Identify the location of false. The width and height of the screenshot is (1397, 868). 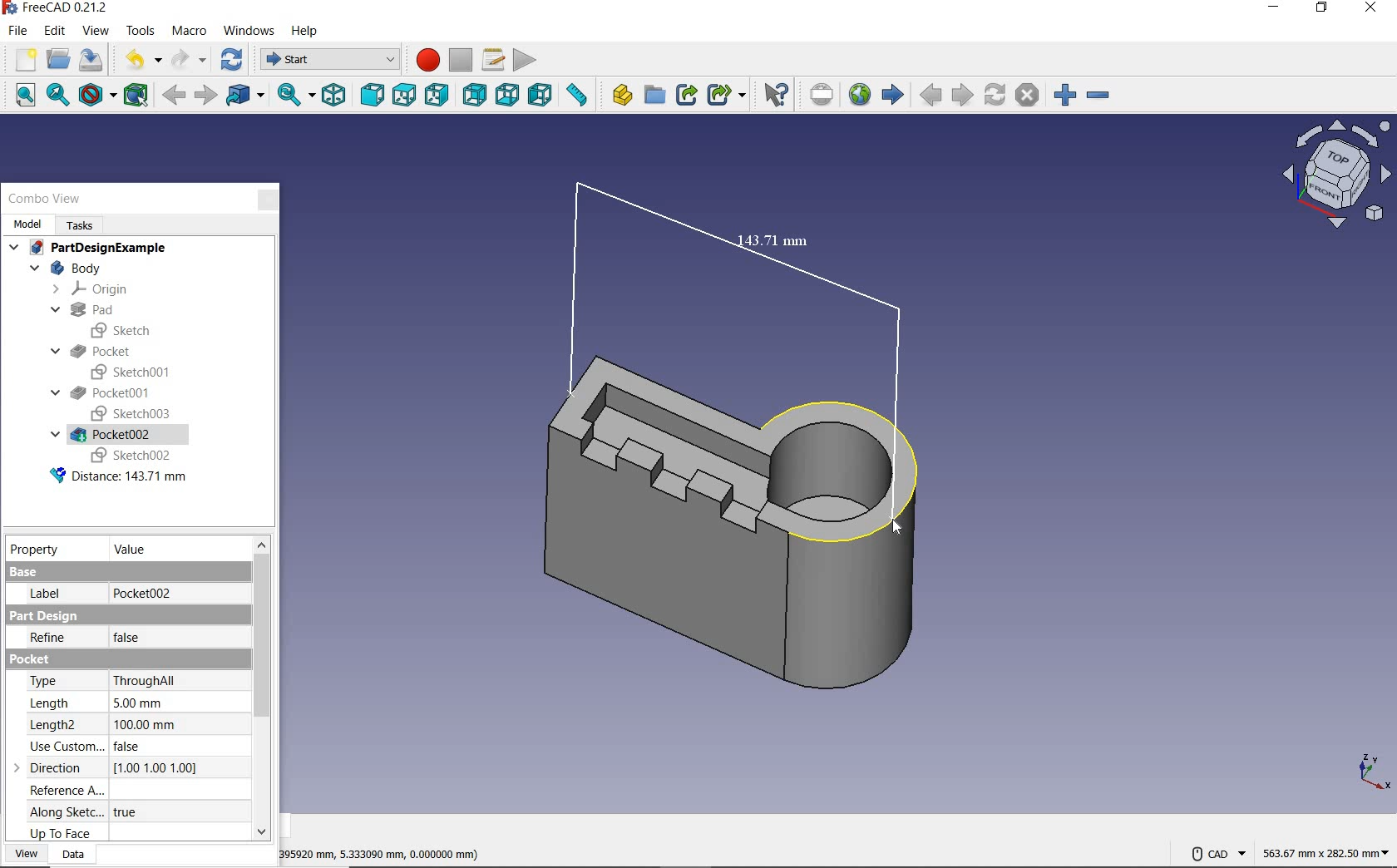
(129, 748).